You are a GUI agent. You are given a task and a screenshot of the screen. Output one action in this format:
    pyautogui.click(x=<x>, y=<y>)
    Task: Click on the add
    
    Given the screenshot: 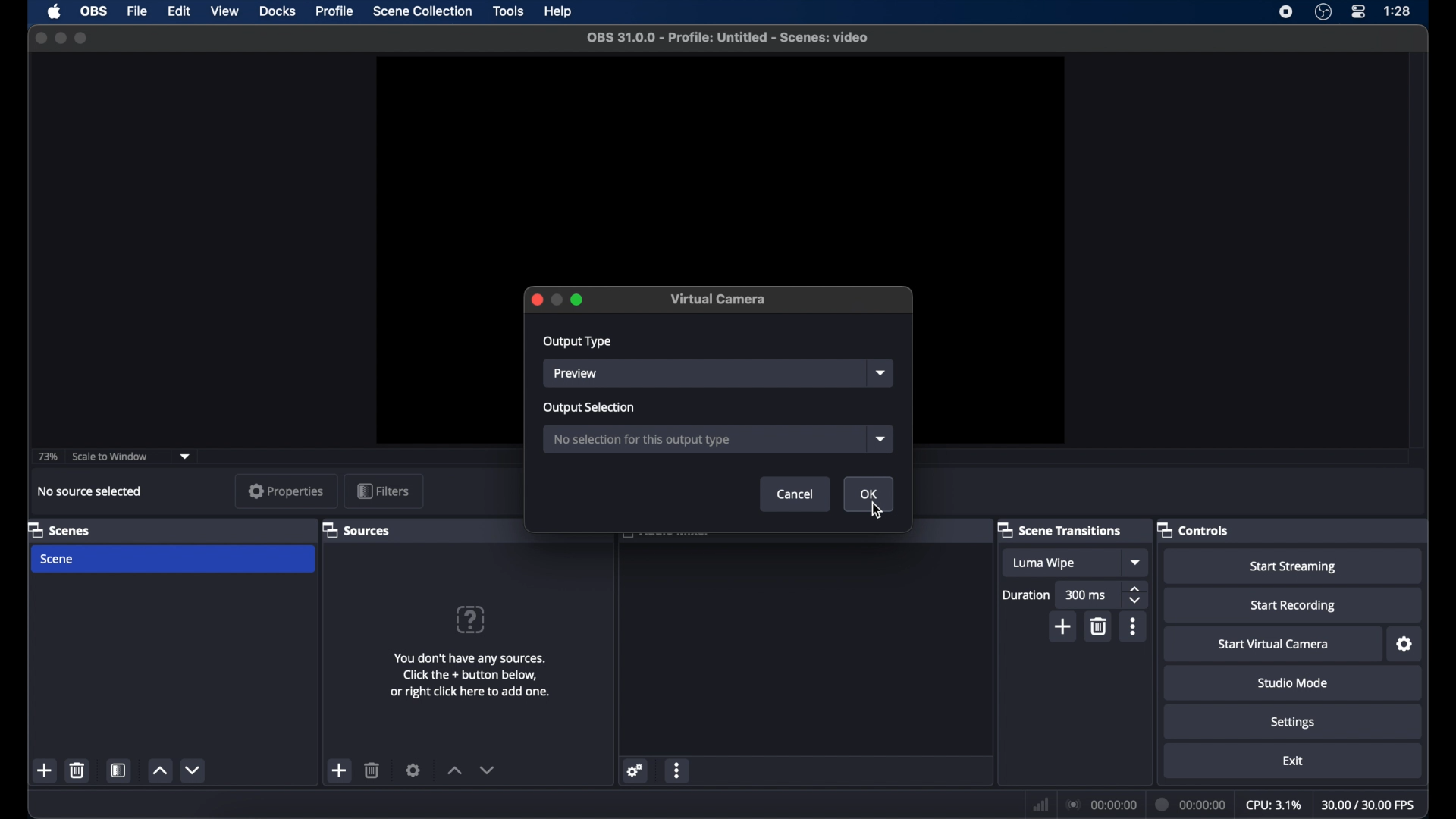 What is the action you would take?
    pyautogui.click(x=45, y=771)
    